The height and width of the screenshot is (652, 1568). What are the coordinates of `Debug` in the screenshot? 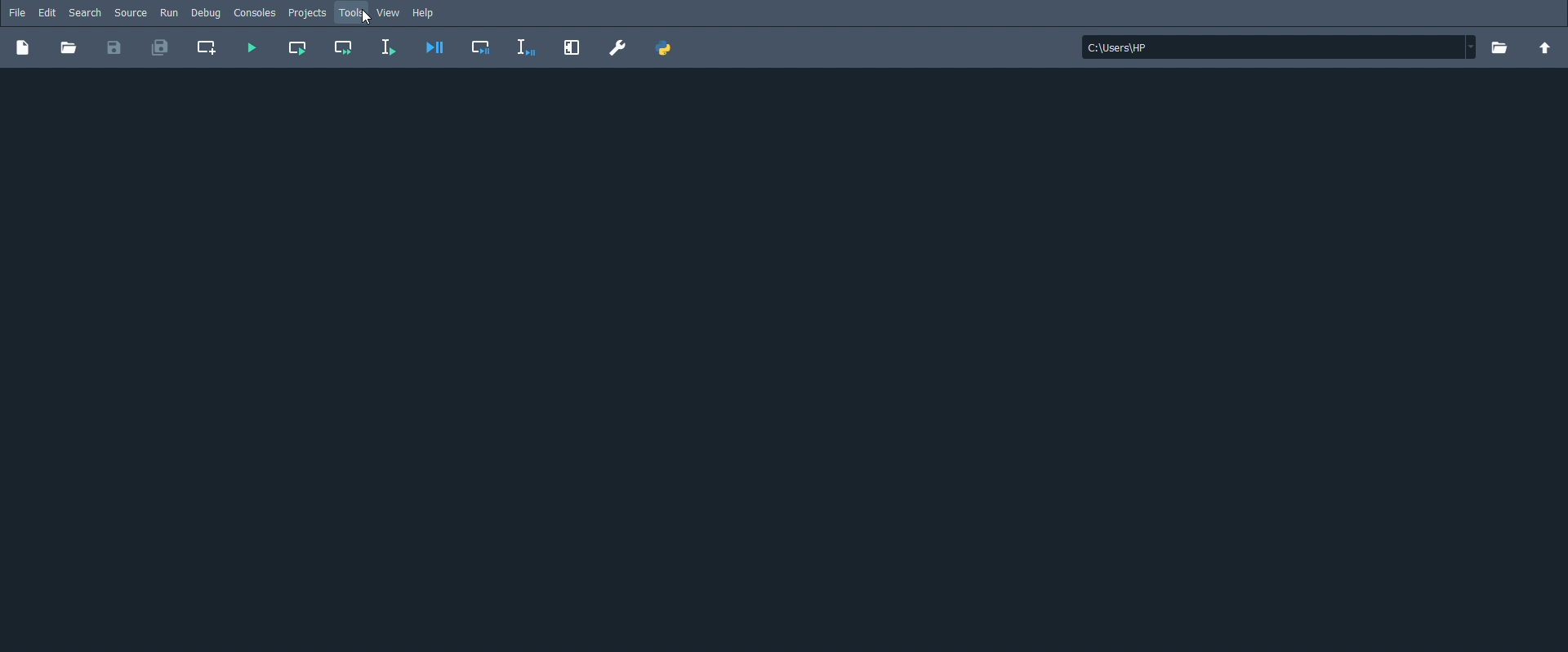 It's located at (207, 15).